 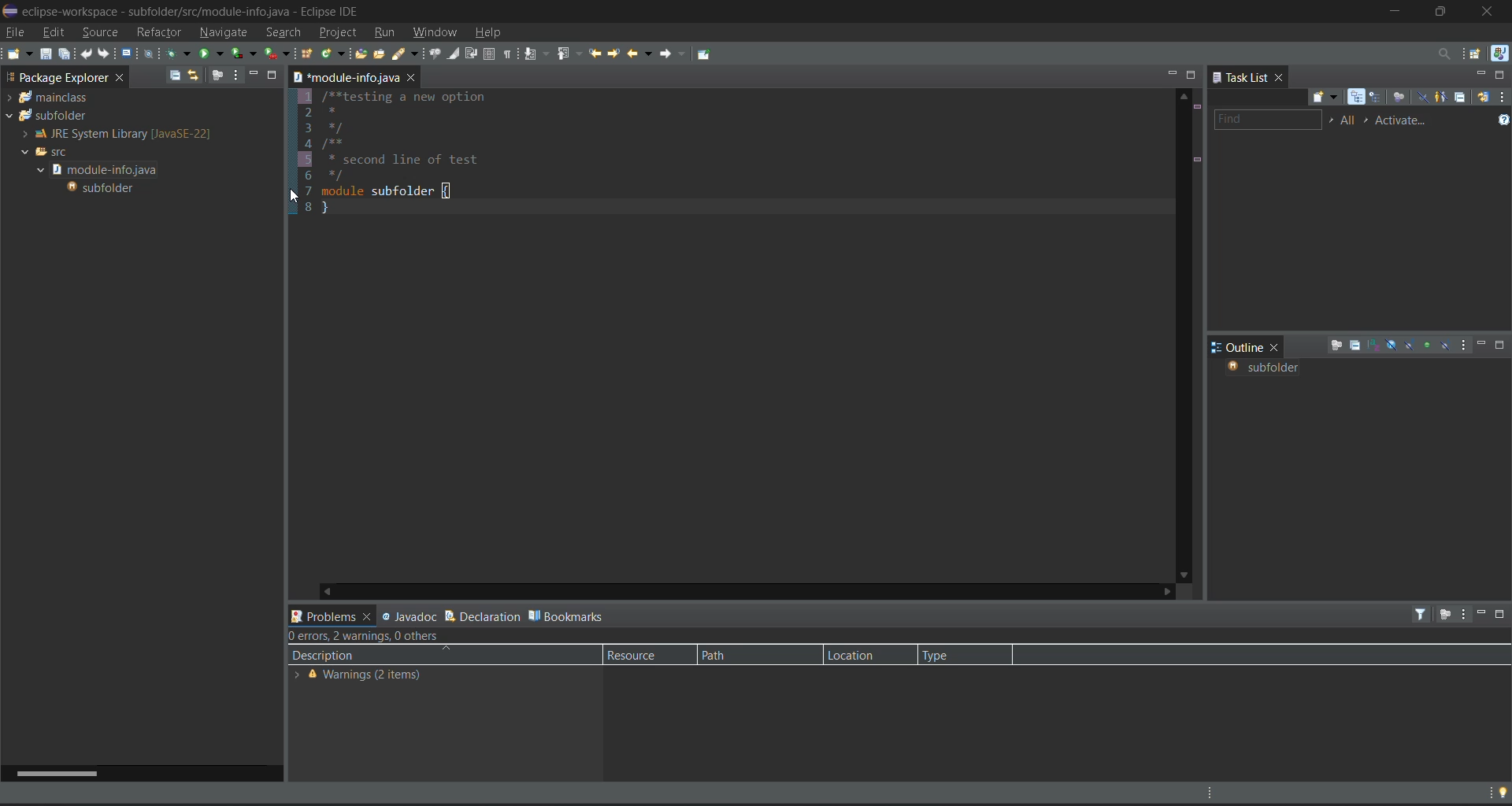 I want to click on minimize, so click(x=1480, y=612).